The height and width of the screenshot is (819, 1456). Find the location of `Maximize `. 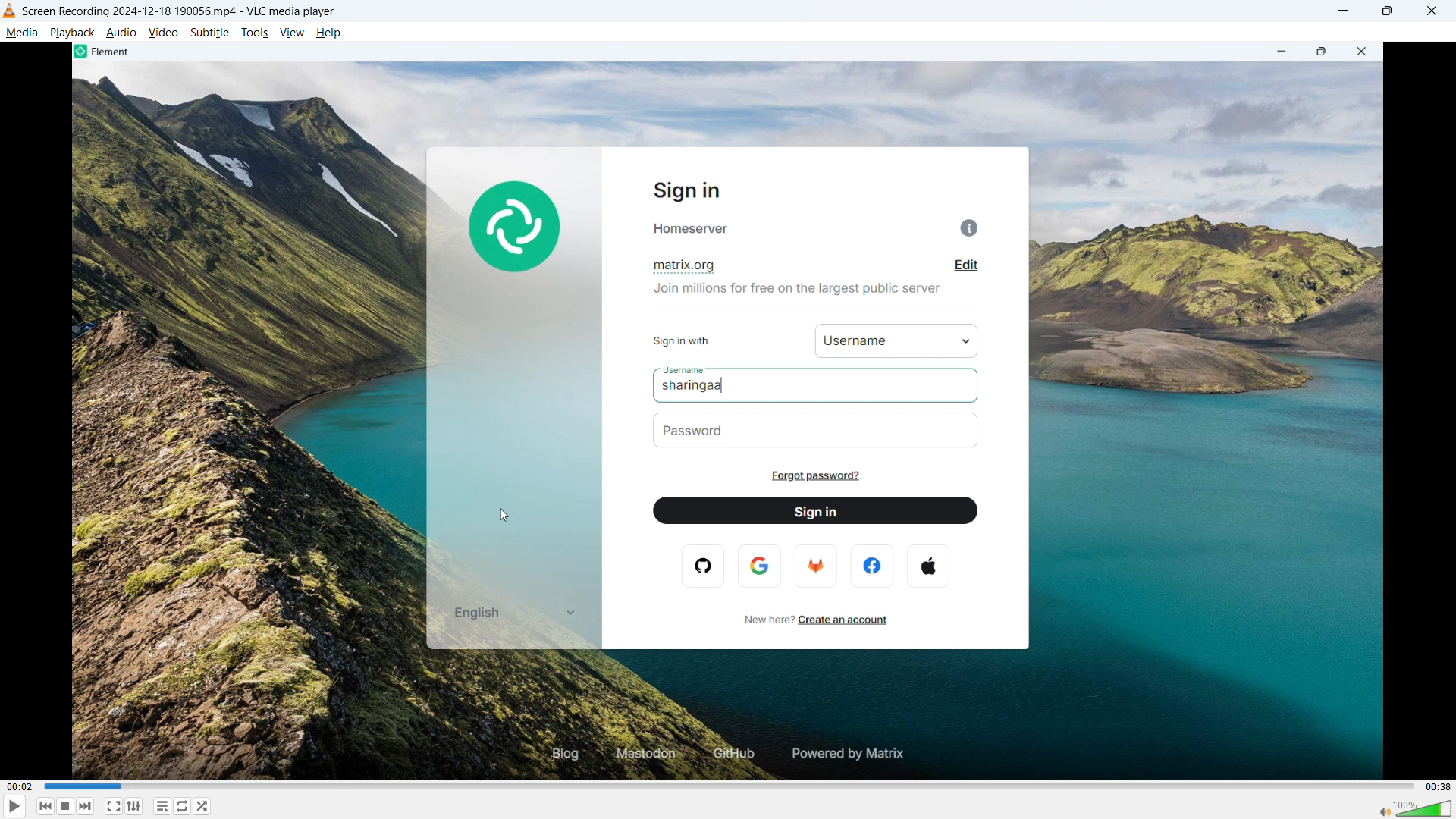

Maximize  is located at coordinates (1389, 11).